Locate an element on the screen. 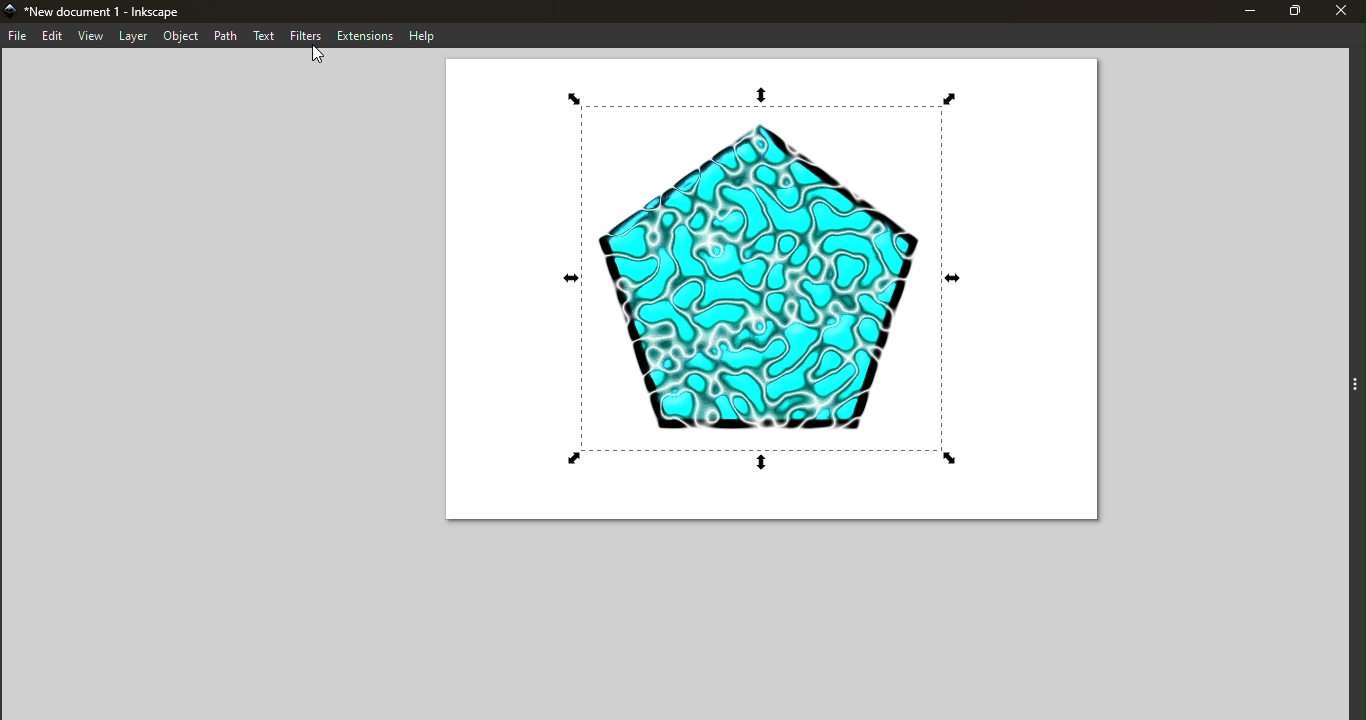 The image size is (1366, 720). View is located at coordinates (91, 38).